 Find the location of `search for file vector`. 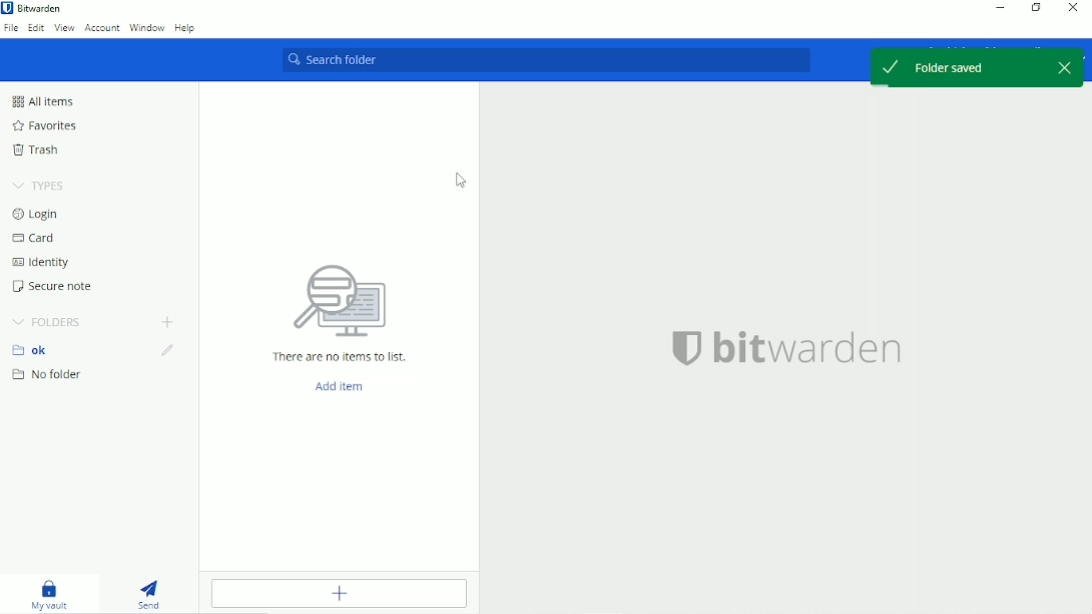

search for file vector is located at coordinates (338, 300).